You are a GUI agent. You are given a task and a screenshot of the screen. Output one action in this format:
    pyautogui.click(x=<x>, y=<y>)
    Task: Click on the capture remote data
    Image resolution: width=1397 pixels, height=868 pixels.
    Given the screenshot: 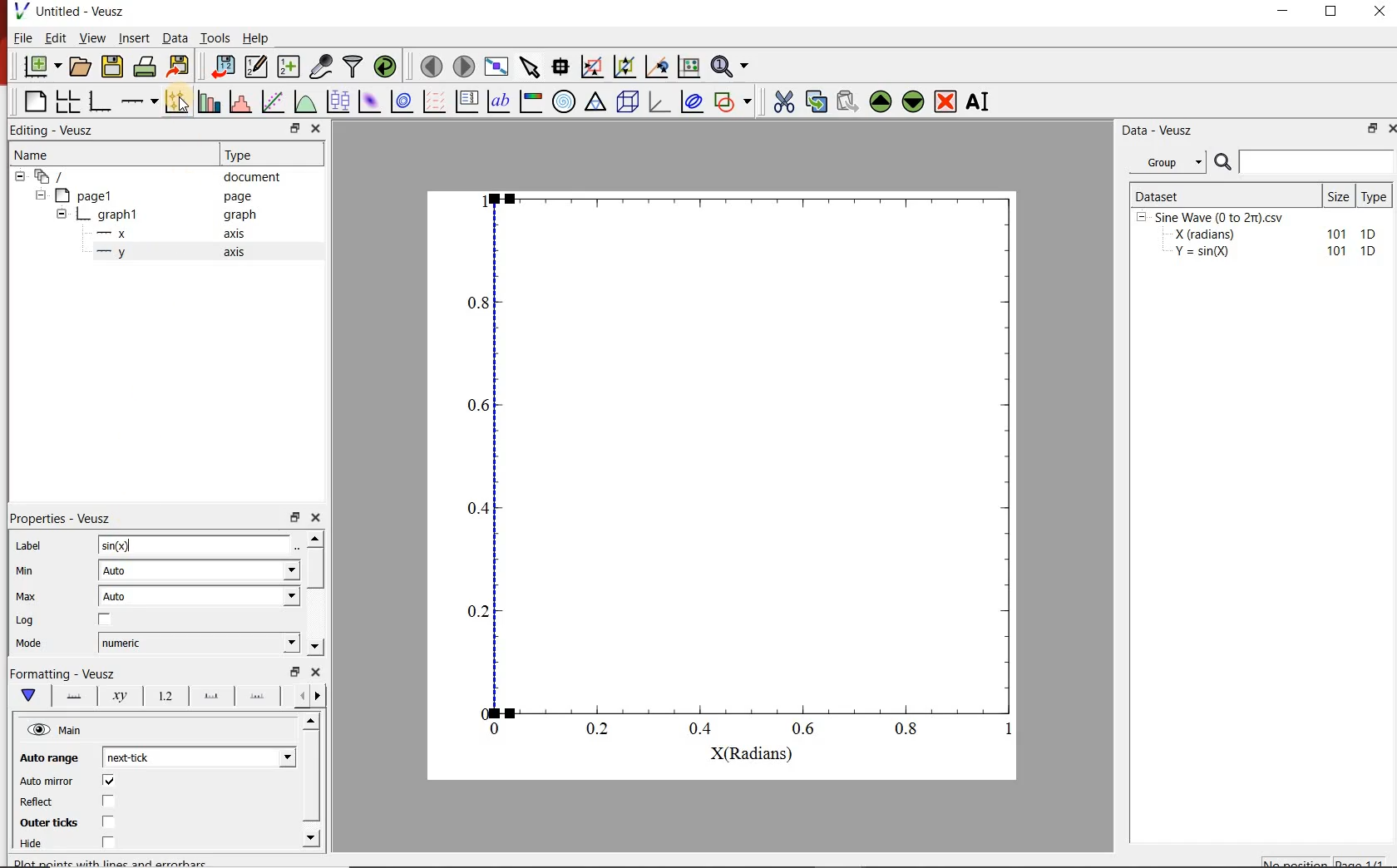 What is the action you would take?
    pyautogui.click(x=323, y=67)
    